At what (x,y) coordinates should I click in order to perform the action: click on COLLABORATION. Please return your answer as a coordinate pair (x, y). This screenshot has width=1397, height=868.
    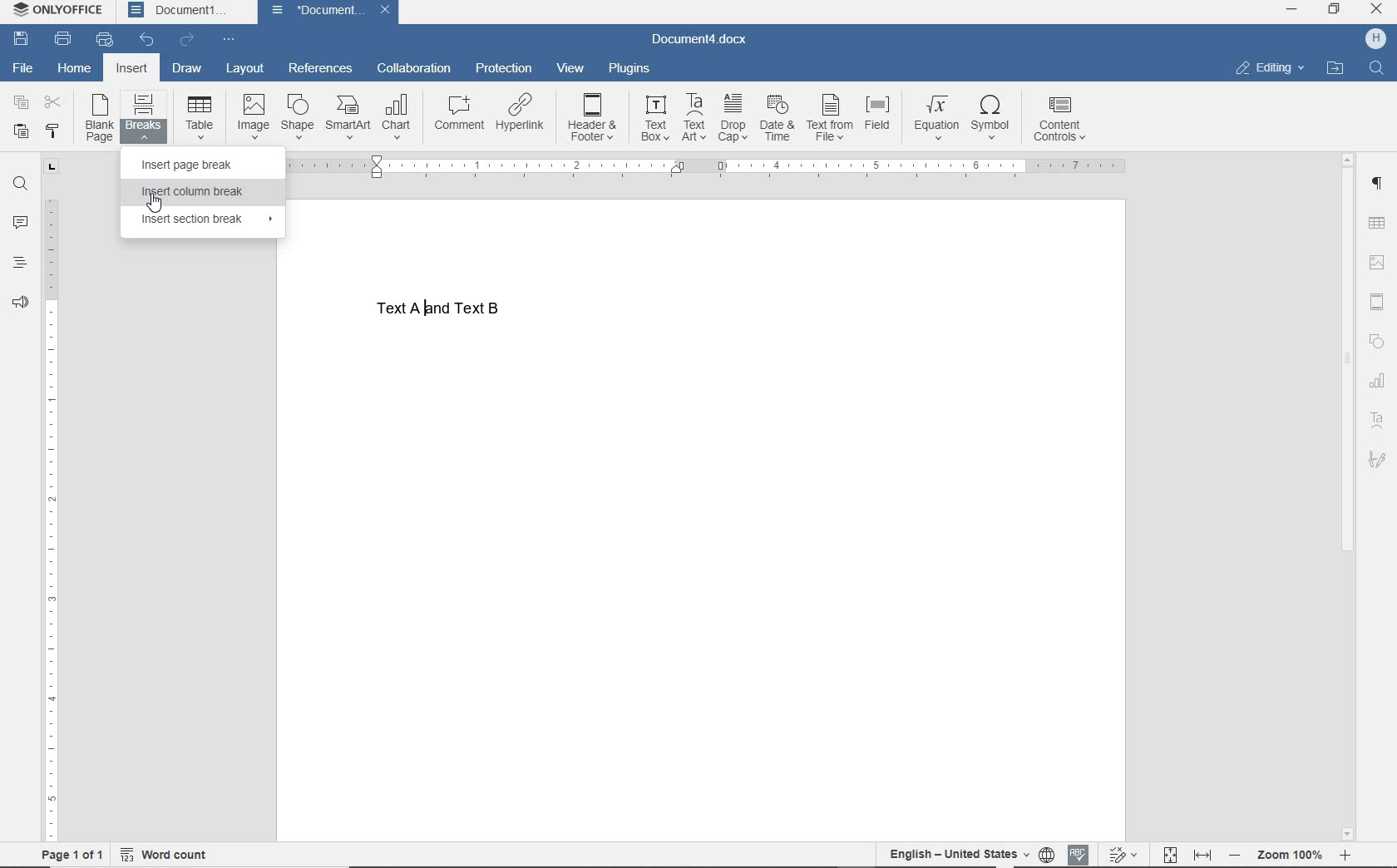
    Looking at the image, I should click on (416, 67).